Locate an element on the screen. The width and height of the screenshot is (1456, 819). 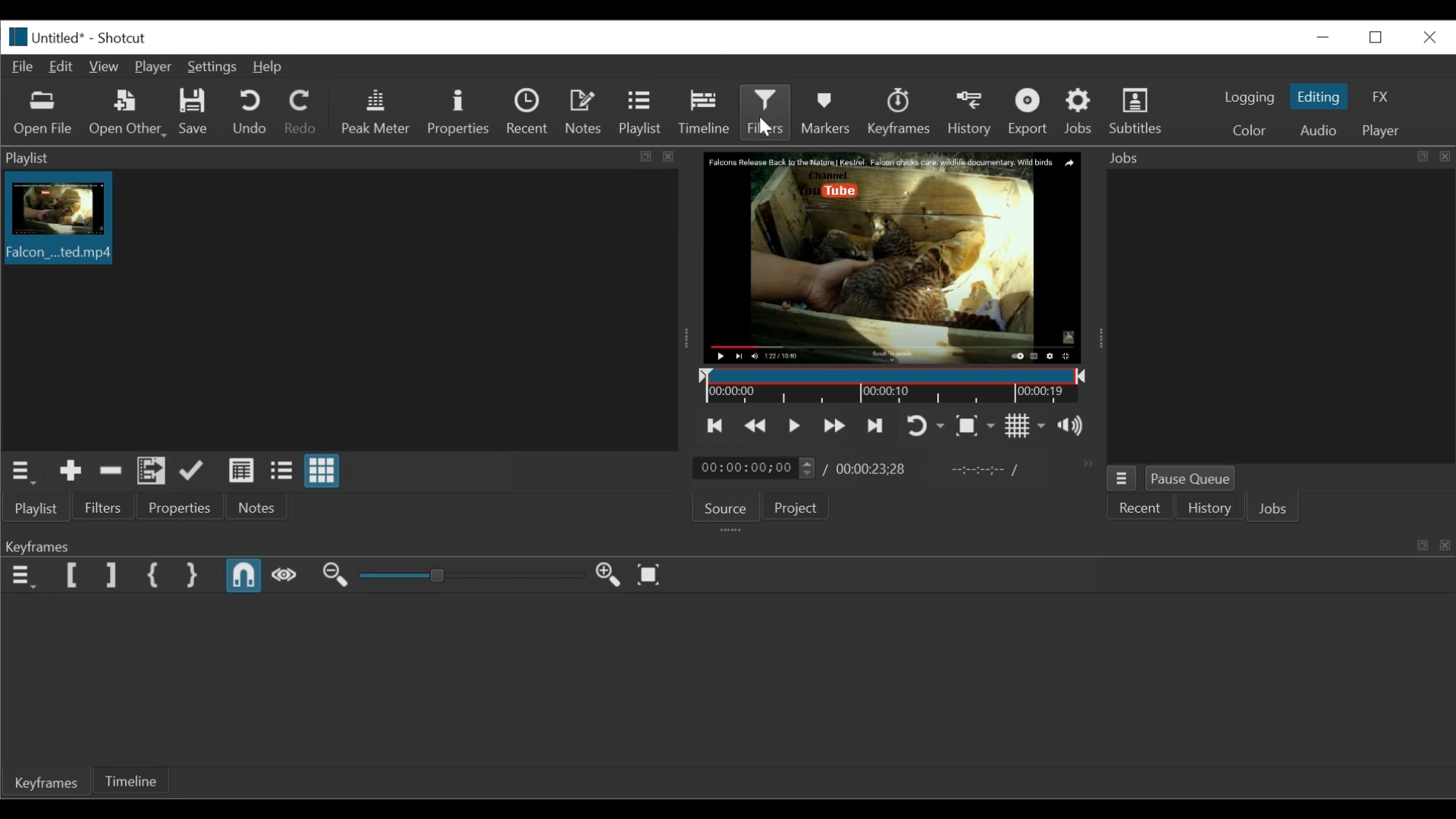
Settings is located at coordinates (215, 67).